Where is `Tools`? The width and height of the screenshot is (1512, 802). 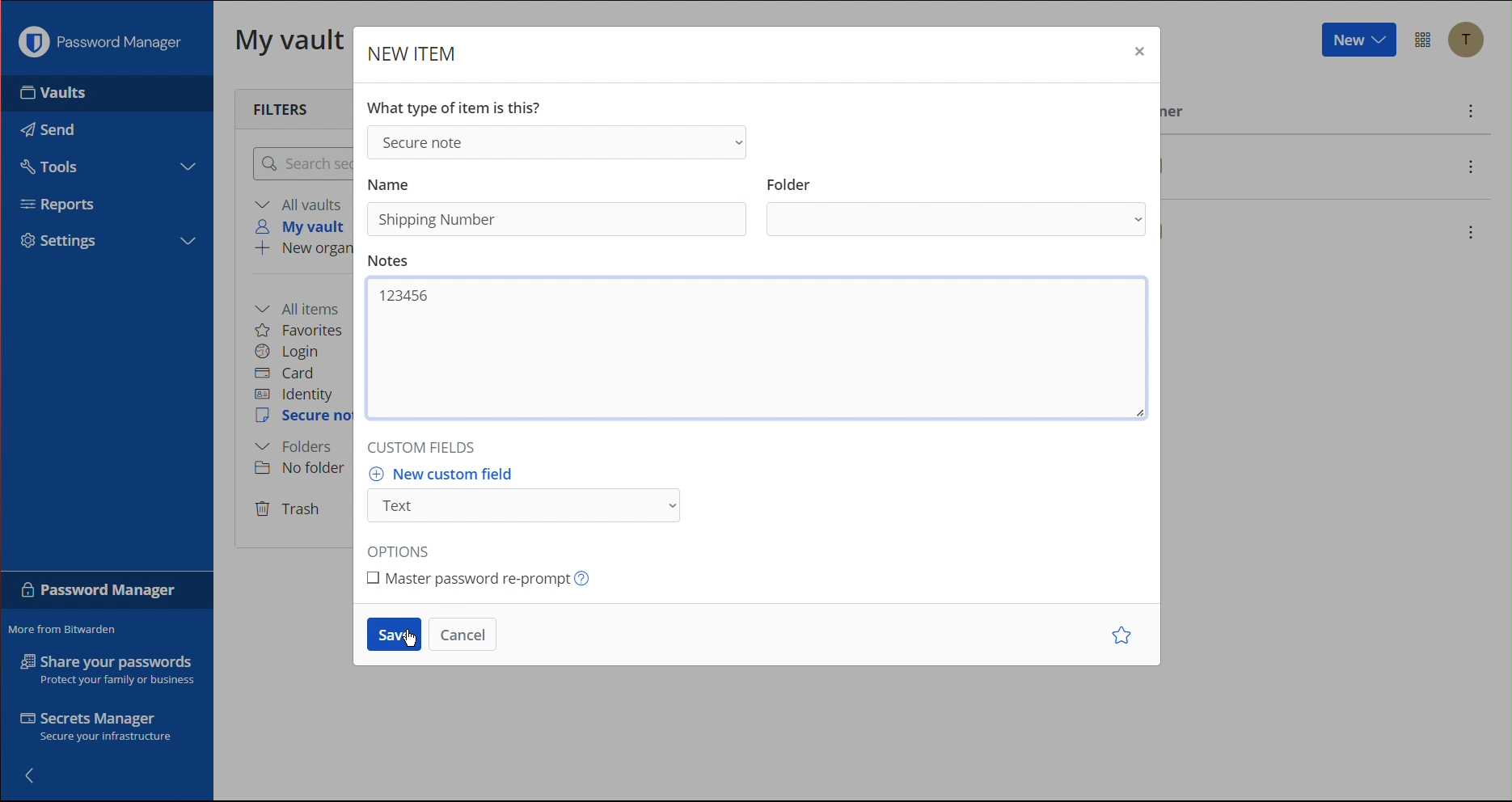
Tools is located at coordinates (55, 167).